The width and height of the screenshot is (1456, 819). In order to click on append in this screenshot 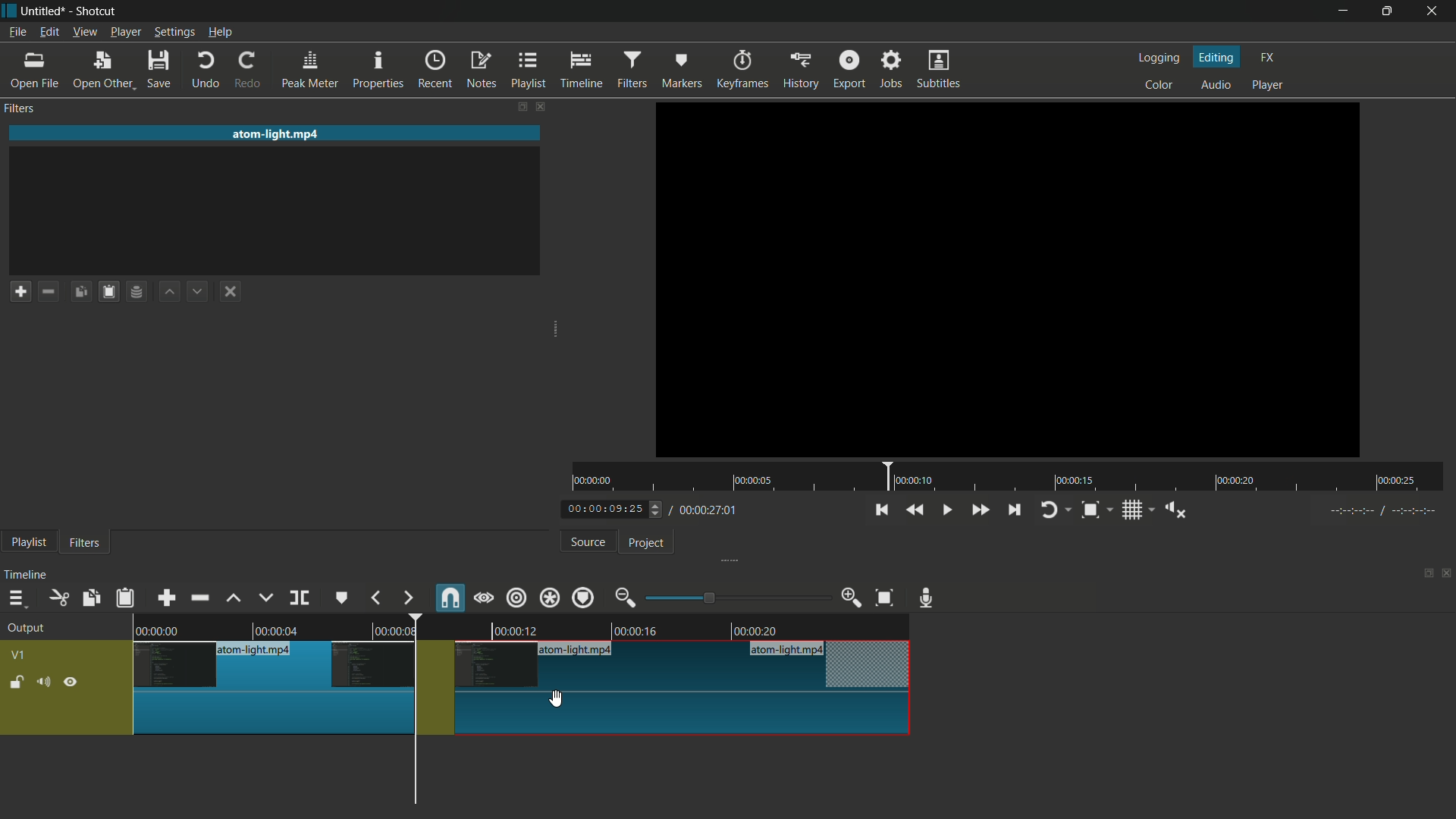, I will do `click(169, 597)`.